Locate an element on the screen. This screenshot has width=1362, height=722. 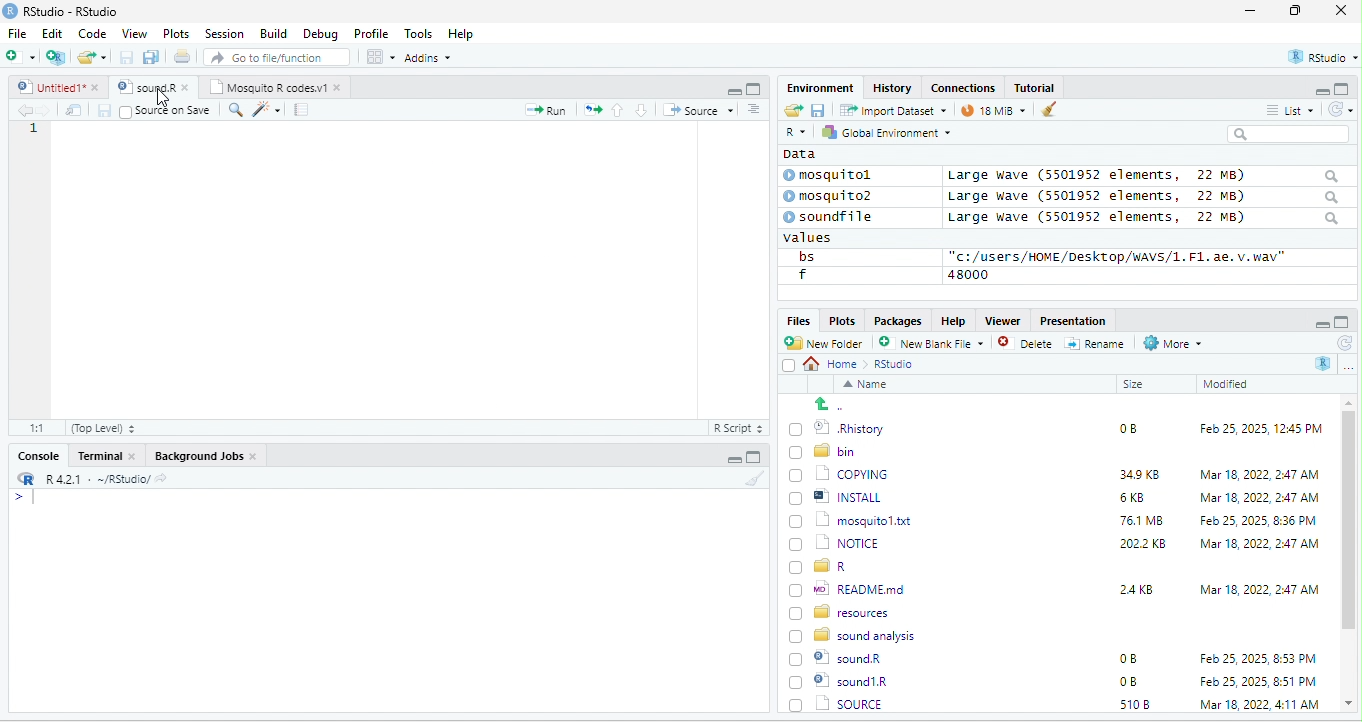
View is located at coordinates (133, 35).